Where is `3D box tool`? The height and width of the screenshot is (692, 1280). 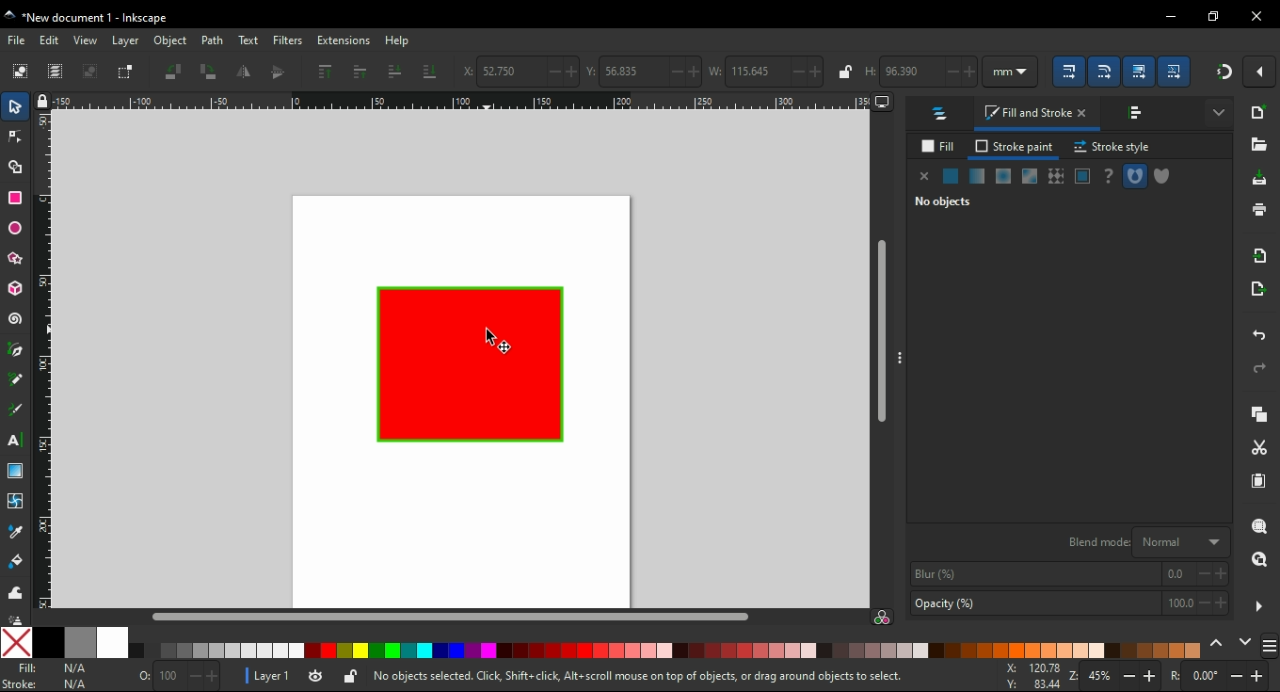 3D box tool is located at coordinates (16, 289).